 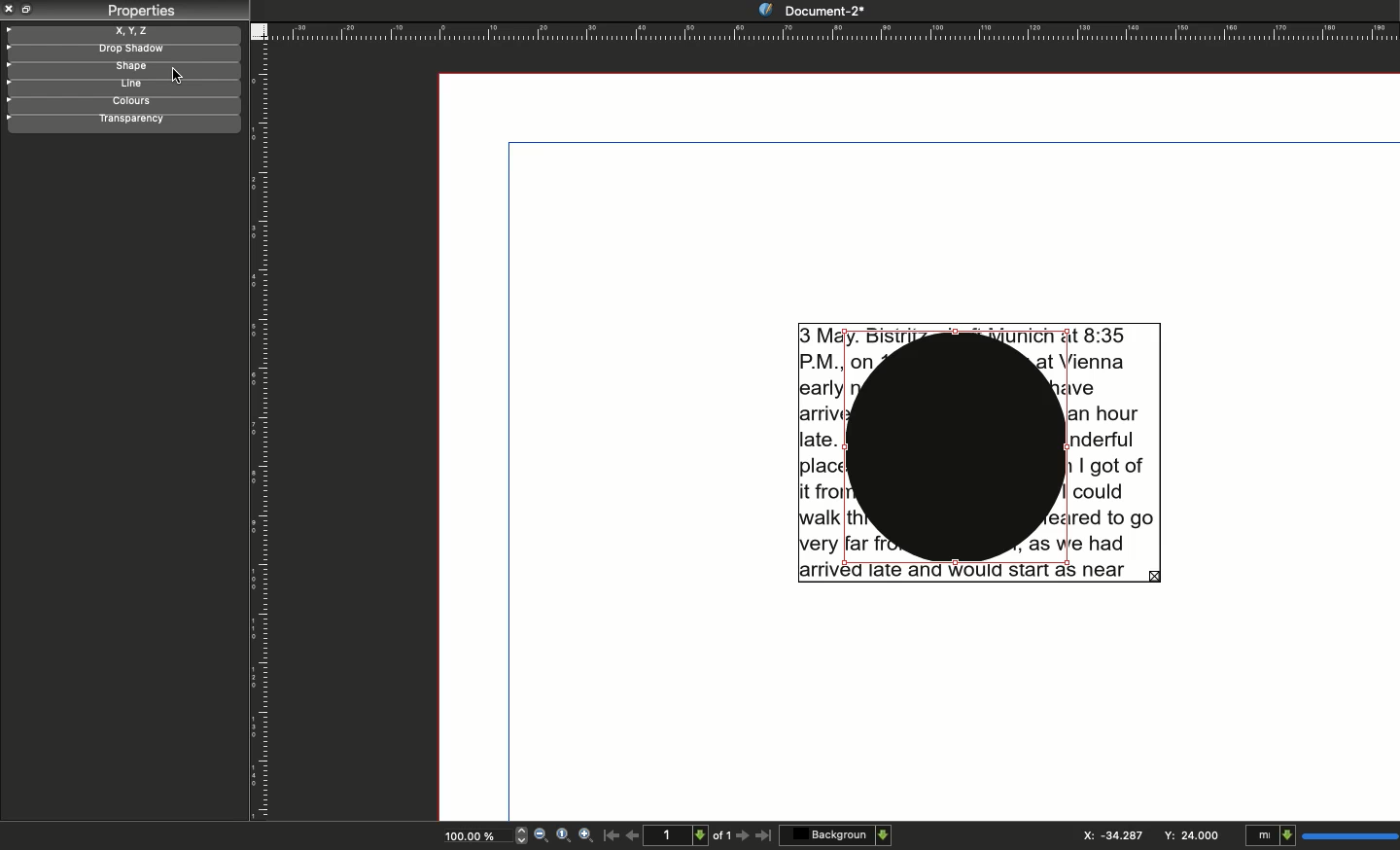 What do you see at coordinates (127, 67) in the screenshot?
I see `Shape` at bounding box center [127, 67].